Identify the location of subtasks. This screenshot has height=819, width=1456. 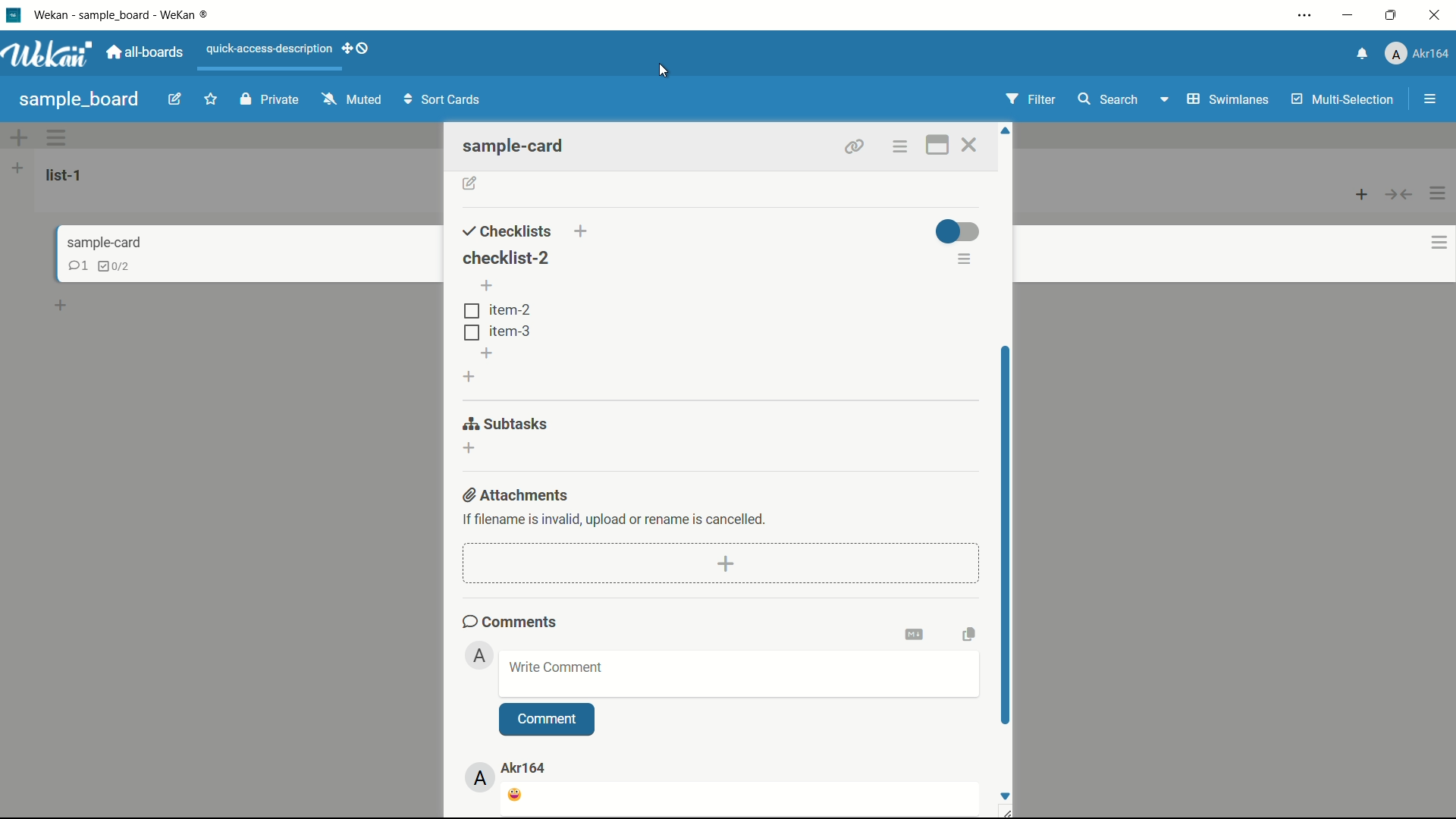
(507, 423).